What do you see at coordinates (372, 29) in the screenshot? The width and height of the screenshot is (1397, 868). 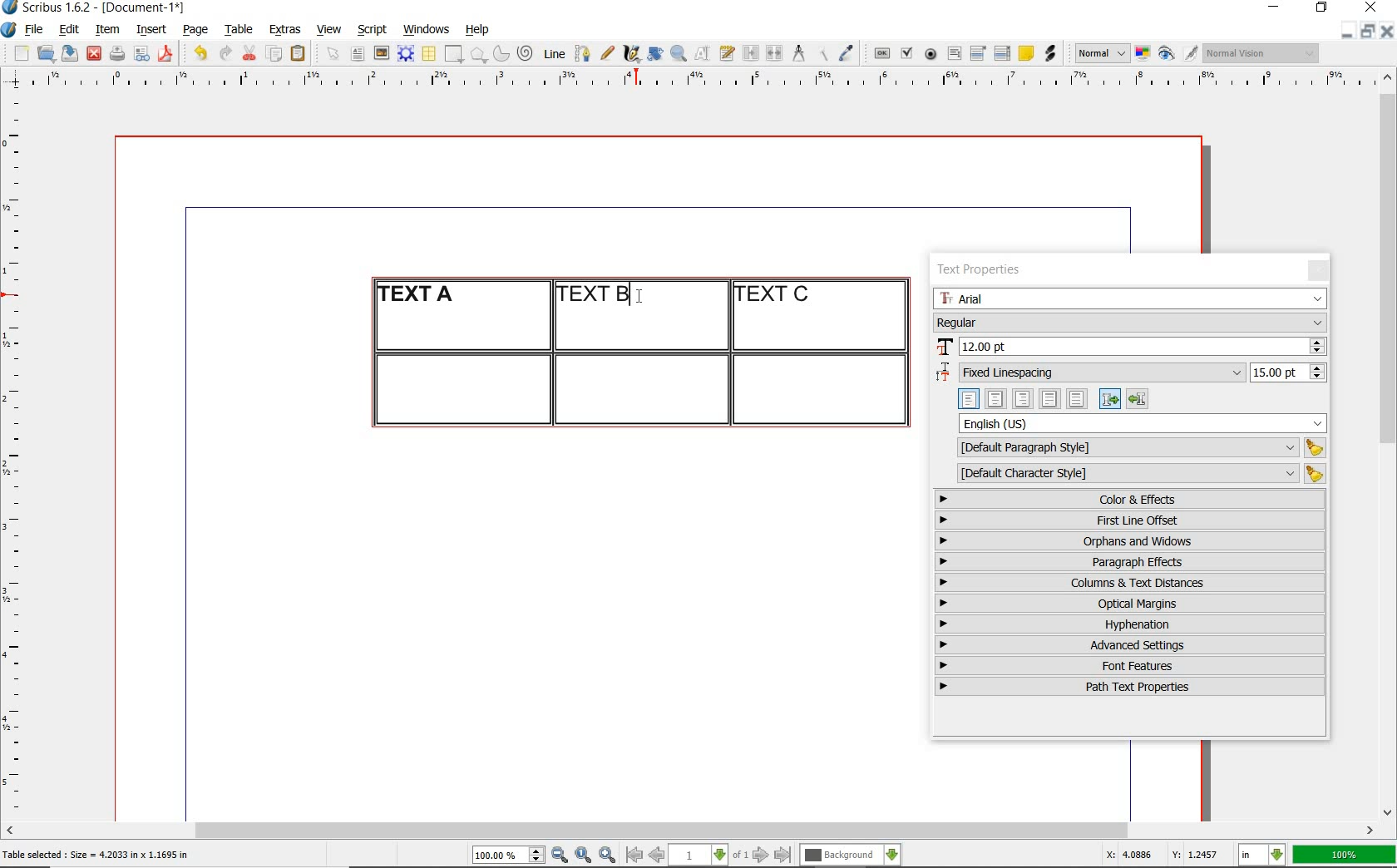 I see `script` at bounding box center [372, 29].